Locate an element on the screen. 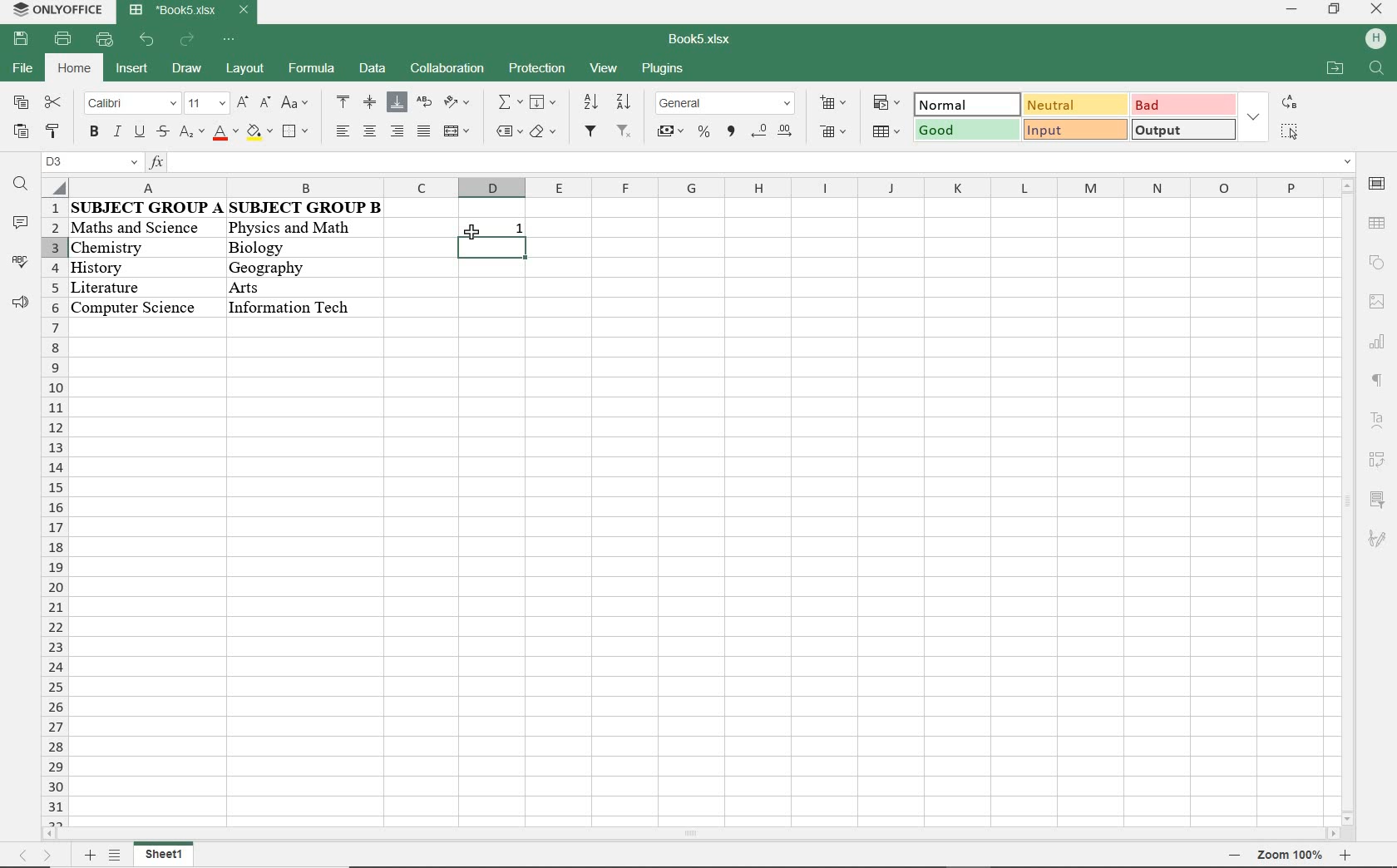  merge & center is located at coordinates (457, 133).